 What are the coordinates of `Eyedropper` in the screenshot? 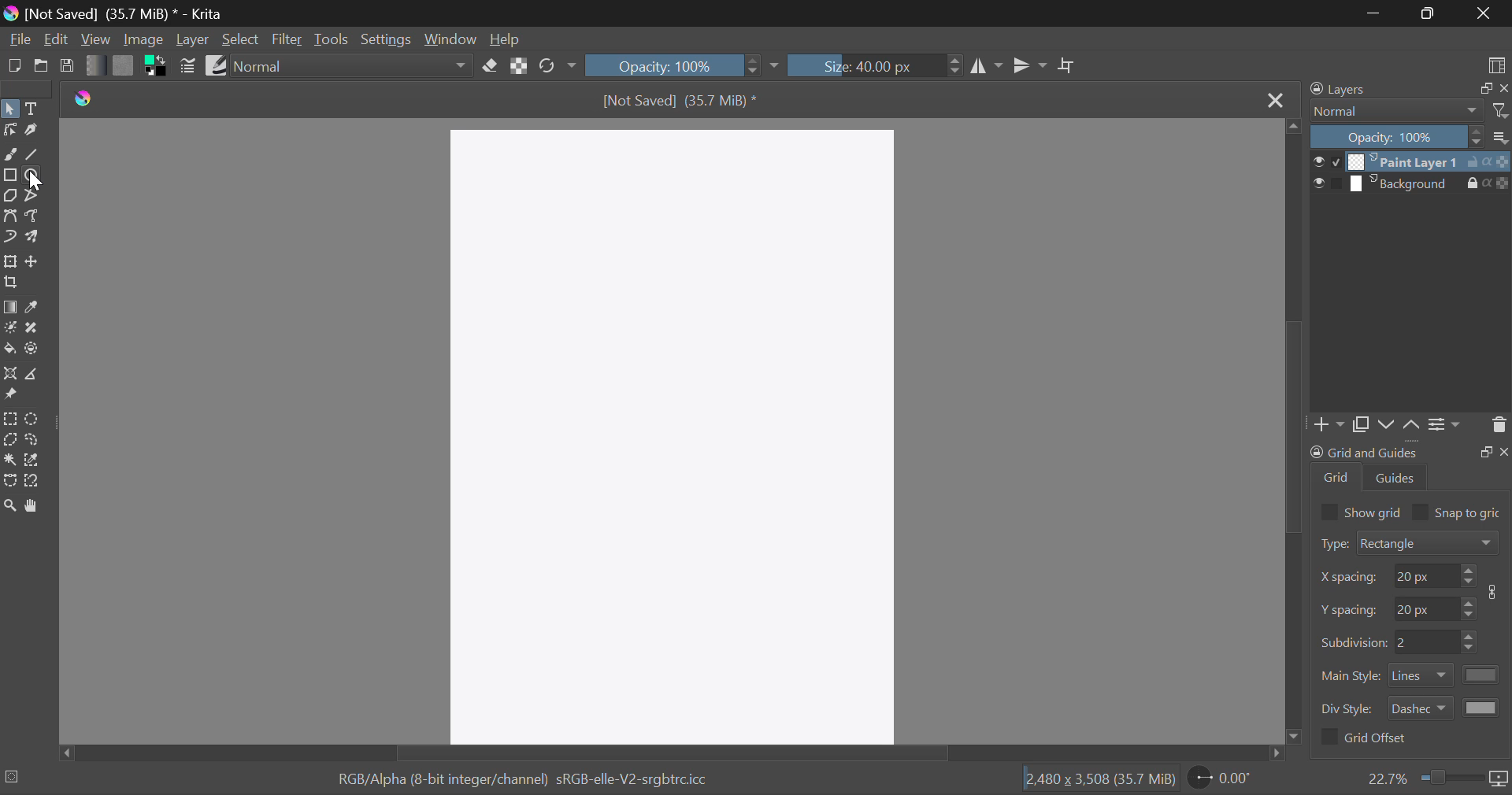 It's located at (35, 306).